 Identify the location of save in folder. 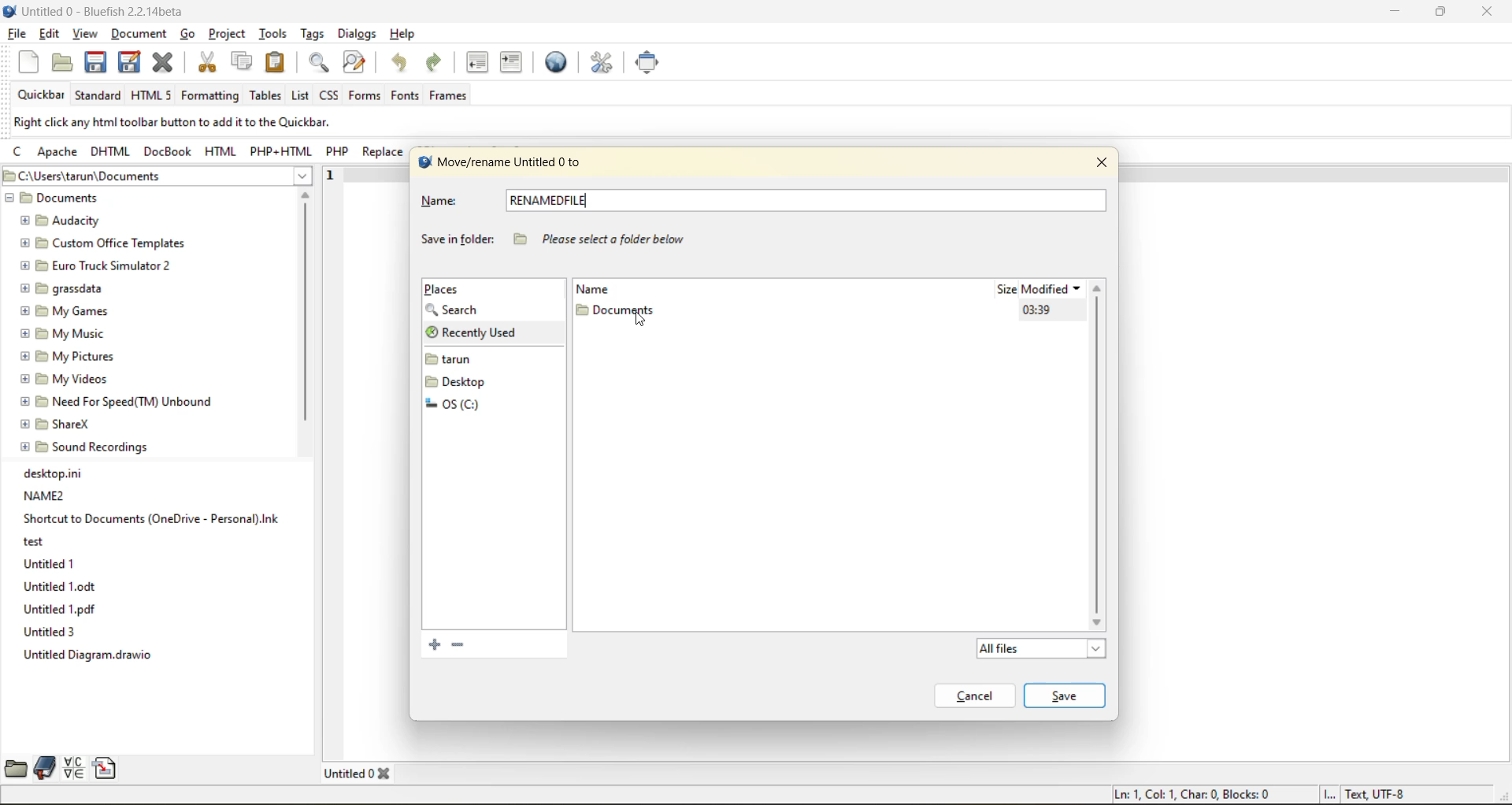
(457, 239).